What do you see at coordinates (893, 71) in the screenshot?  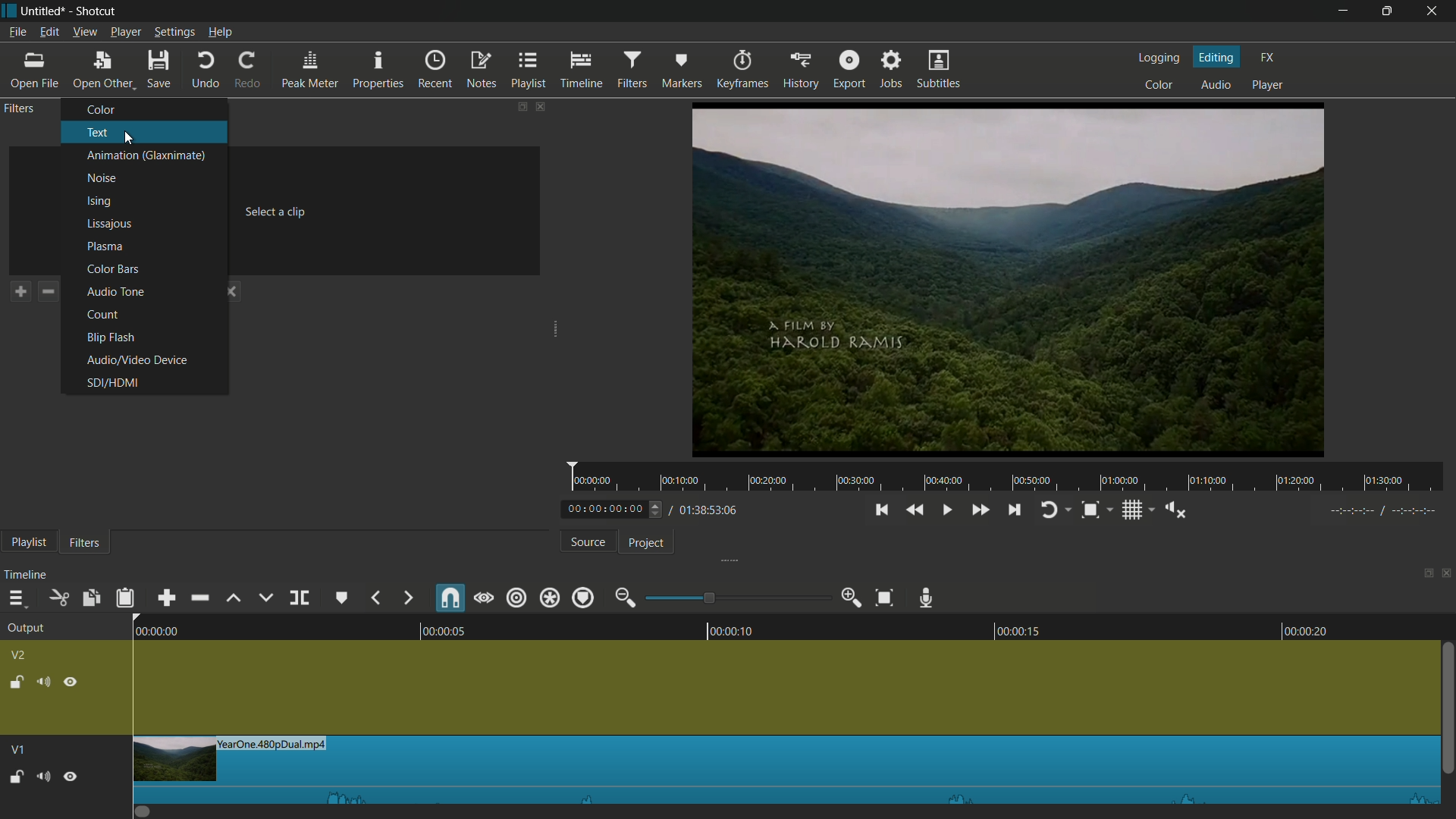 I see `jobs` at bounding box center [893, 71].